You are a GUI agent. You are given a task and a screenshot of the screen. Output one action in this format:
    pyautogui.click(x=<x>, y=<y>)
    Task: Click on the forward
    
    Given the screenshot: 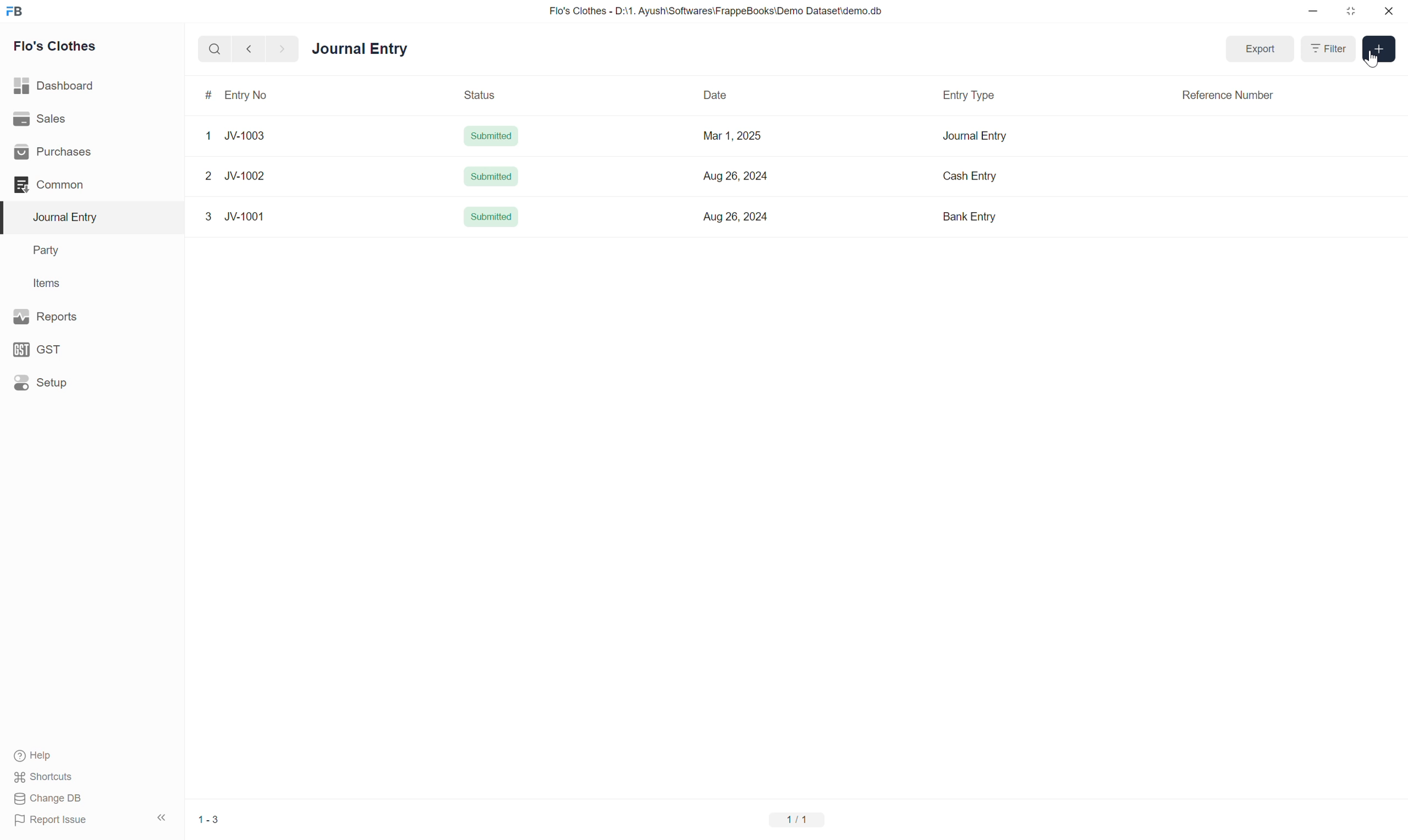 What is the action you would take?
    pyautogui.click(x=280, y=50)
    